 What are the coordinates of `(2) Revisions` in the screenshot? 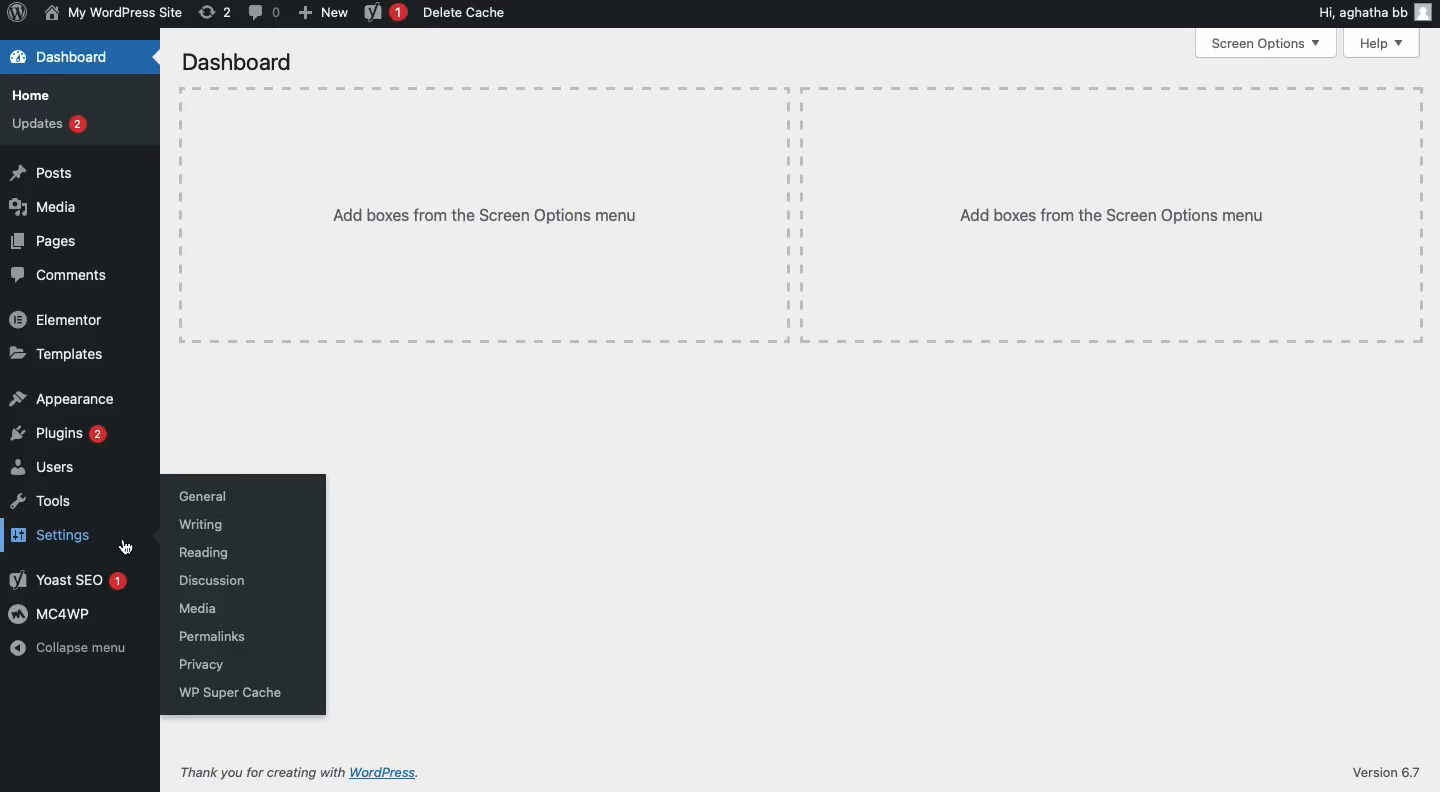 It's located at (212, 11).